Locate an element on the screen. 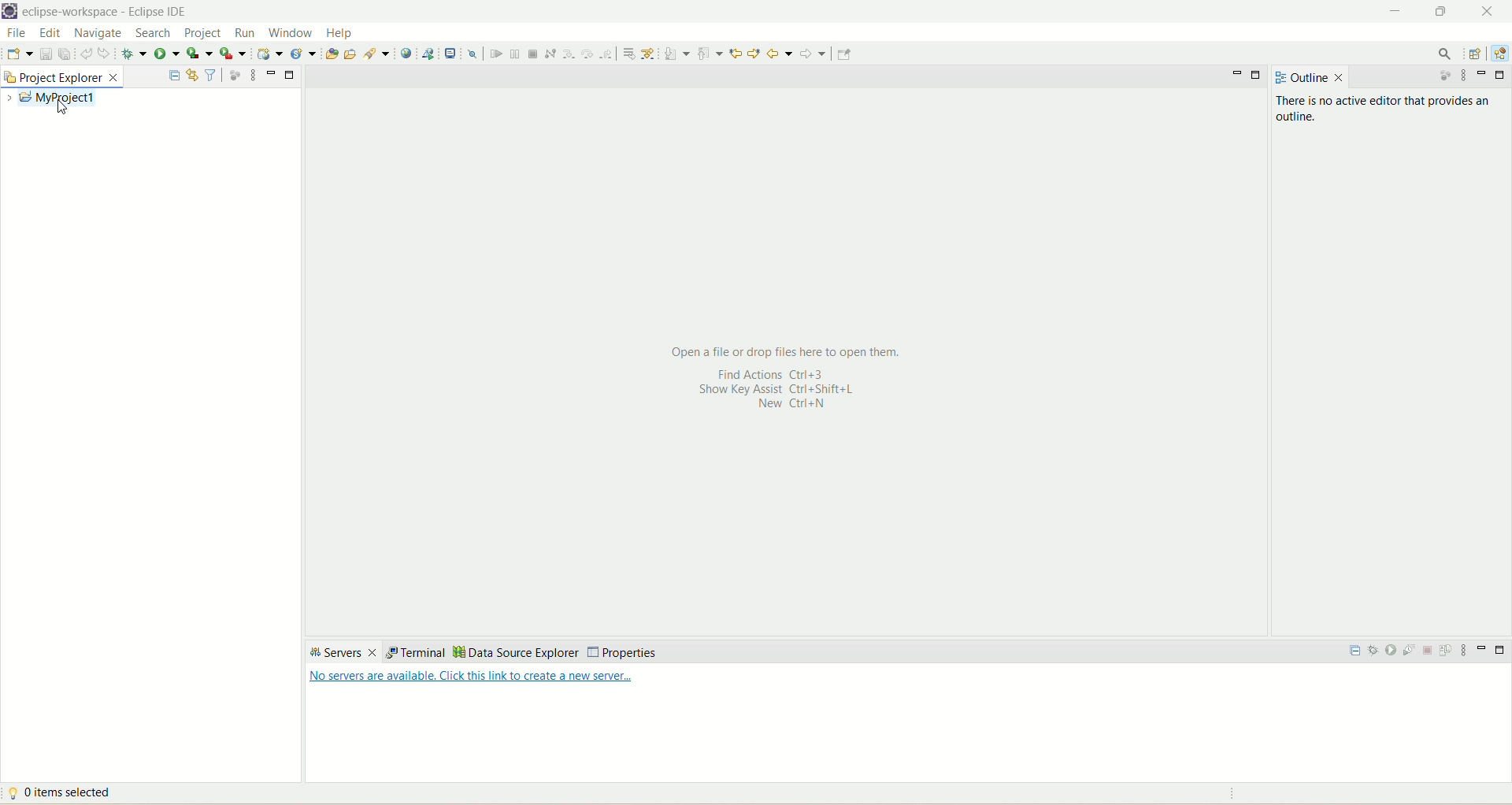 Image resolution: width=1512 pixels, height=805 pixels. publish to the server is located at coordinates (1448, 653).